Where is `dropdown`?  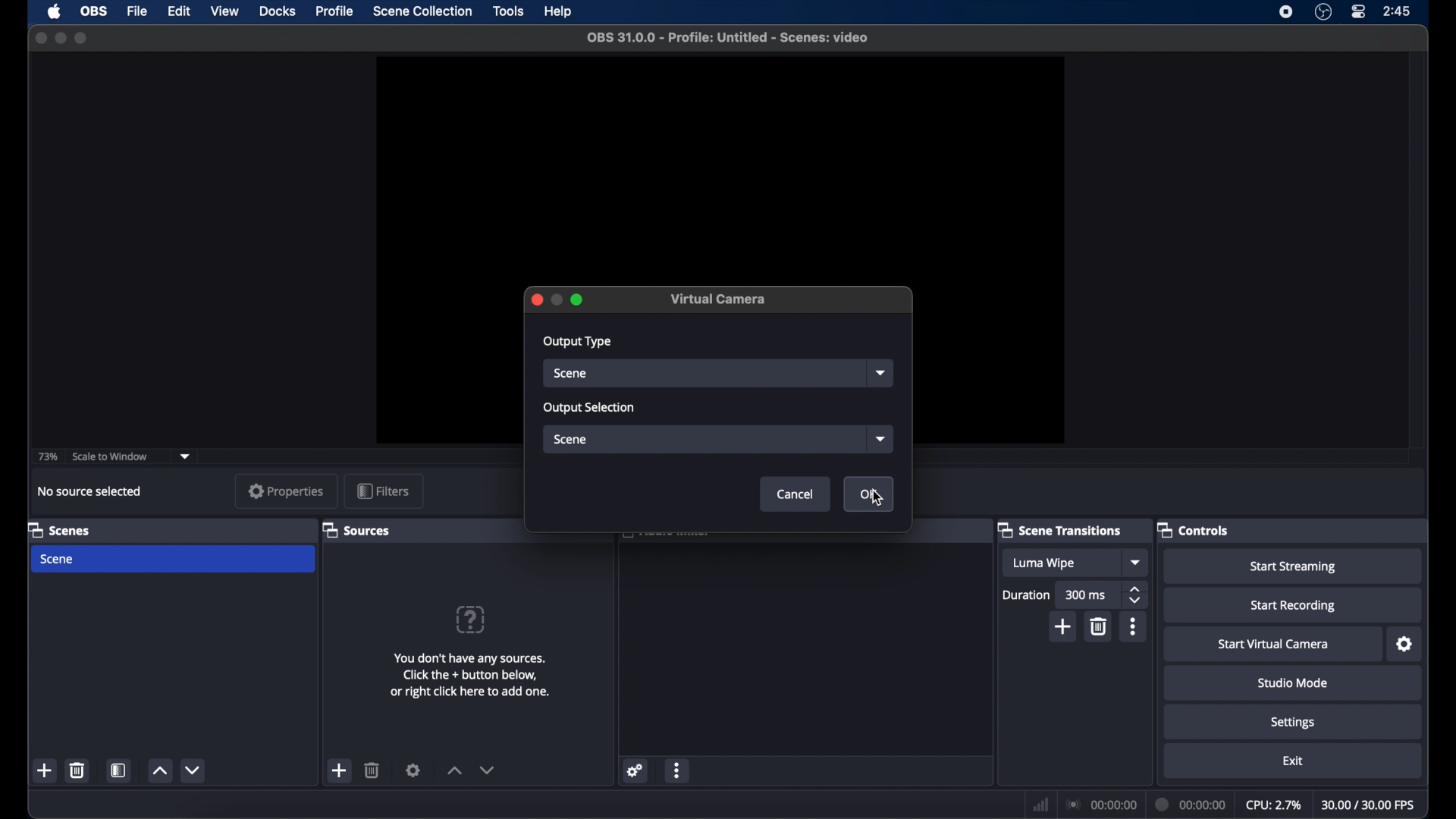
dropdown is located at coordinates (1137, 562).